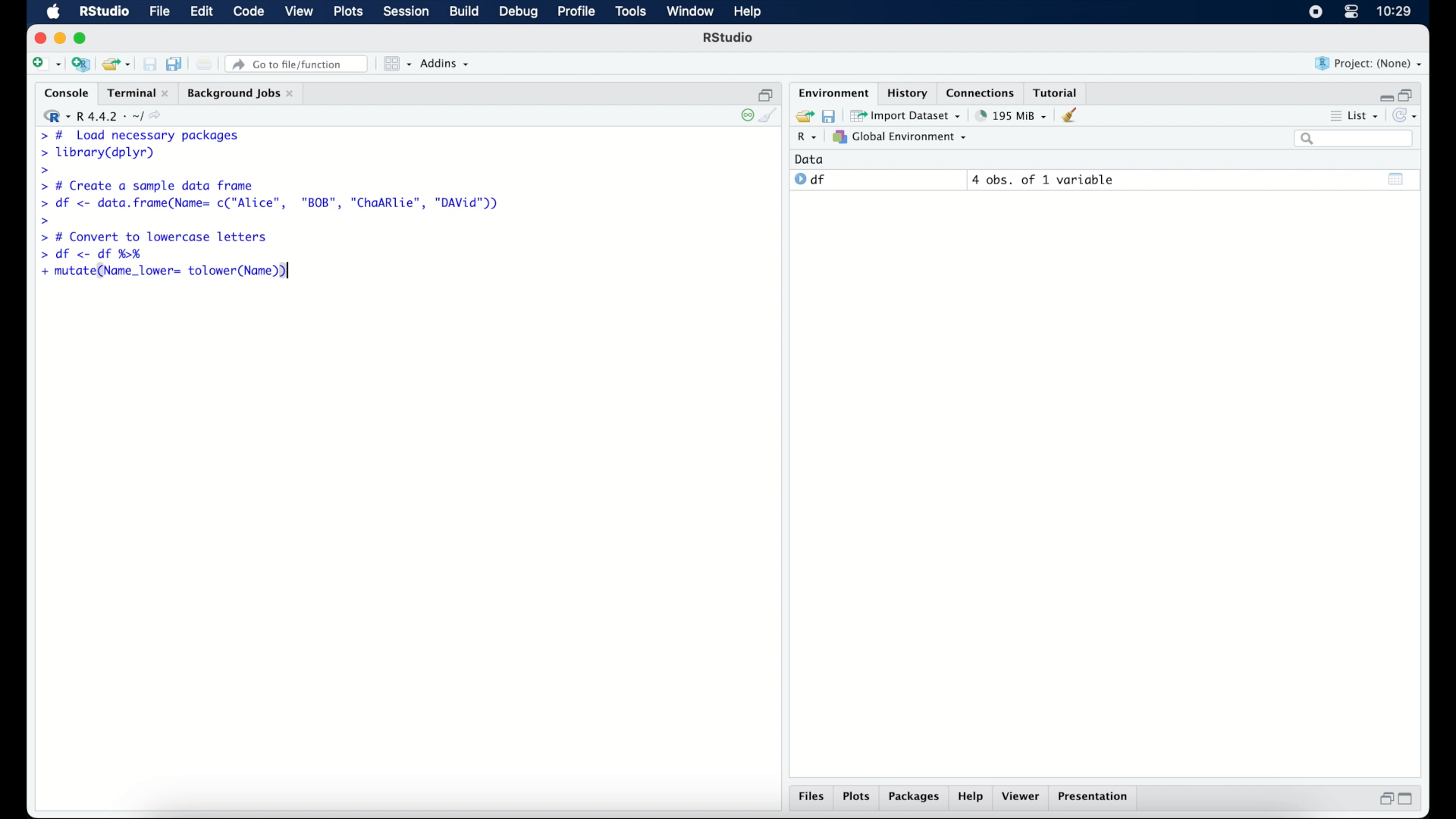  What do you see at coordinates (828, 115) in the screenshot?
I see `save` at bounding box center [828, 115].